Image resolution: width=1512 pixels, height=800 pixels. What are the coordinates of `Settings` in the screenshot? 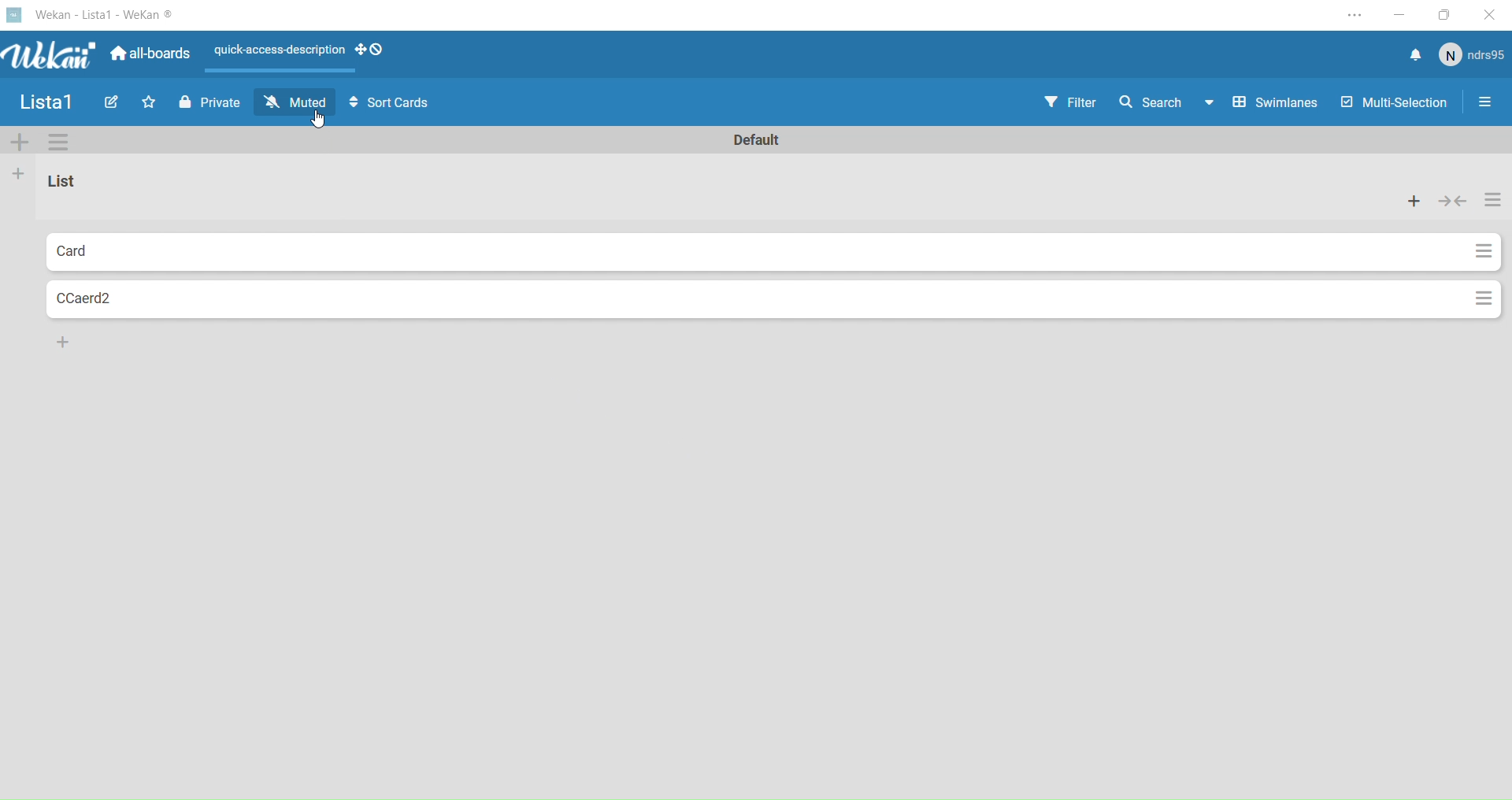 It's located at (58, 142).